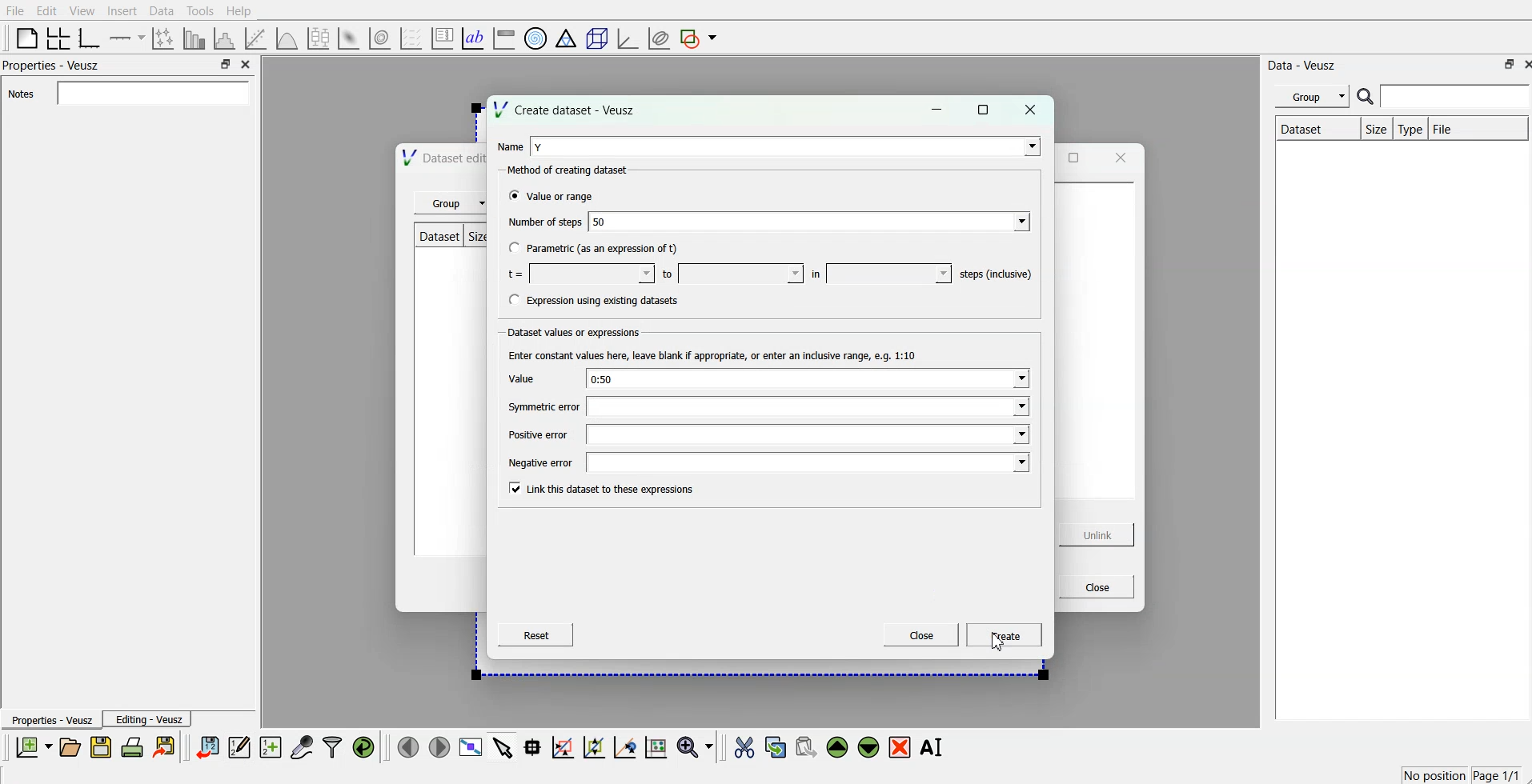 This screenshot has height=784, width=1532. I want to click on zoom functions, so click(696, 746).